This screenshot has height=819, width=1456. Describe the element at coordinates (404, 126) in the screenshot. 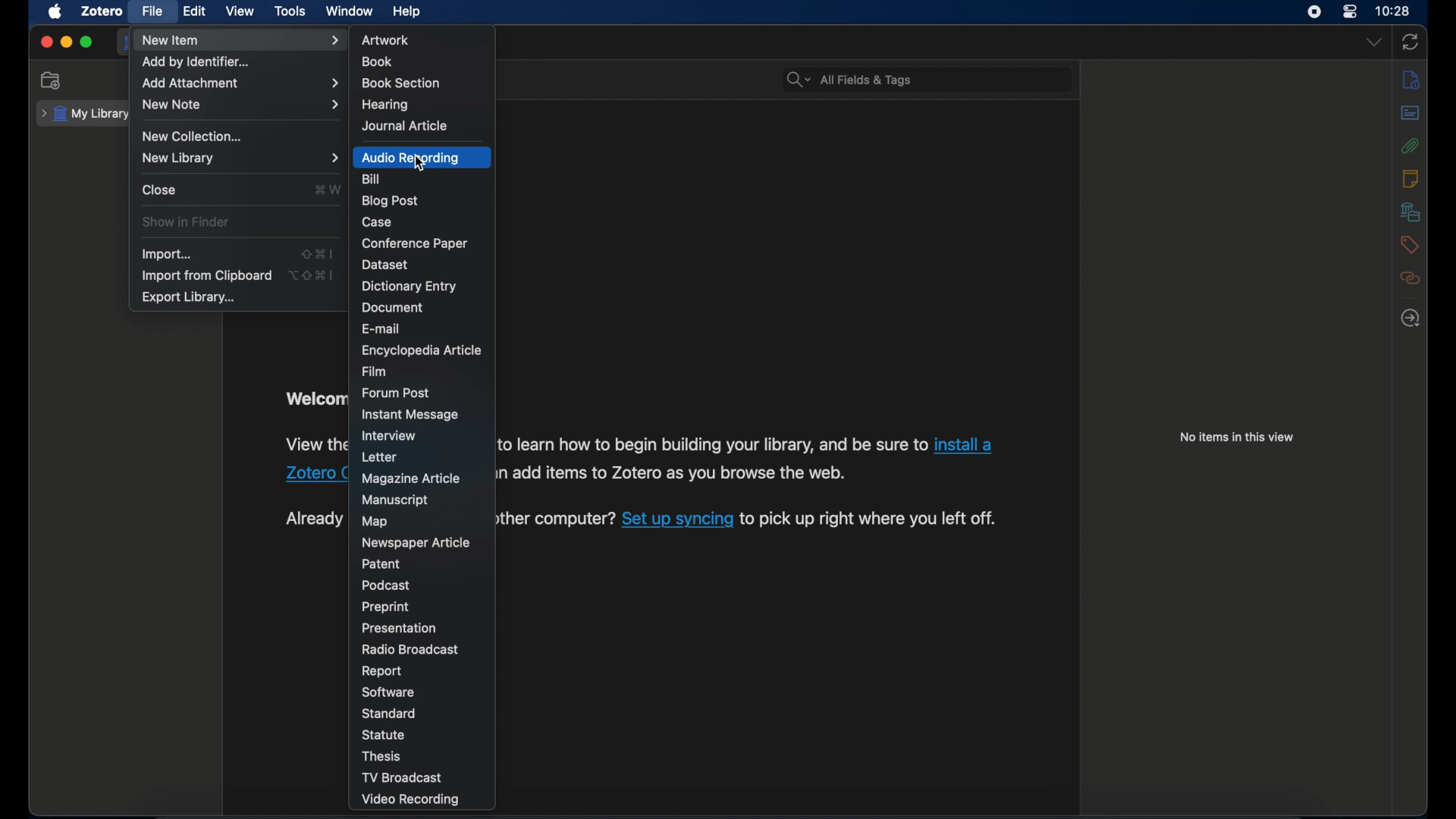

I see `journal article` at that location.